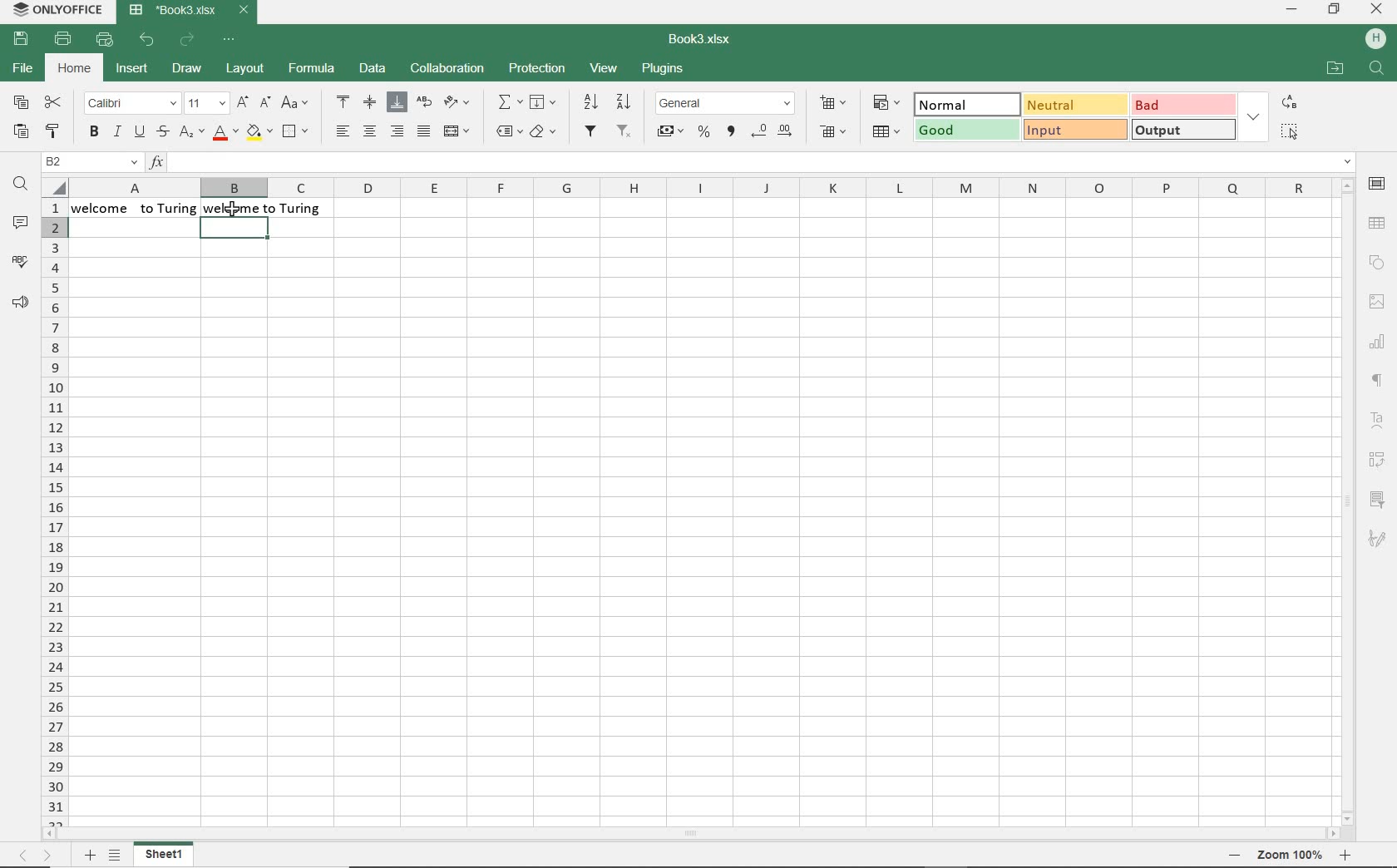 Image resolution: width=1397 pixels, height=868 pixels. I want to click on list of sheets, so click(116, 856).